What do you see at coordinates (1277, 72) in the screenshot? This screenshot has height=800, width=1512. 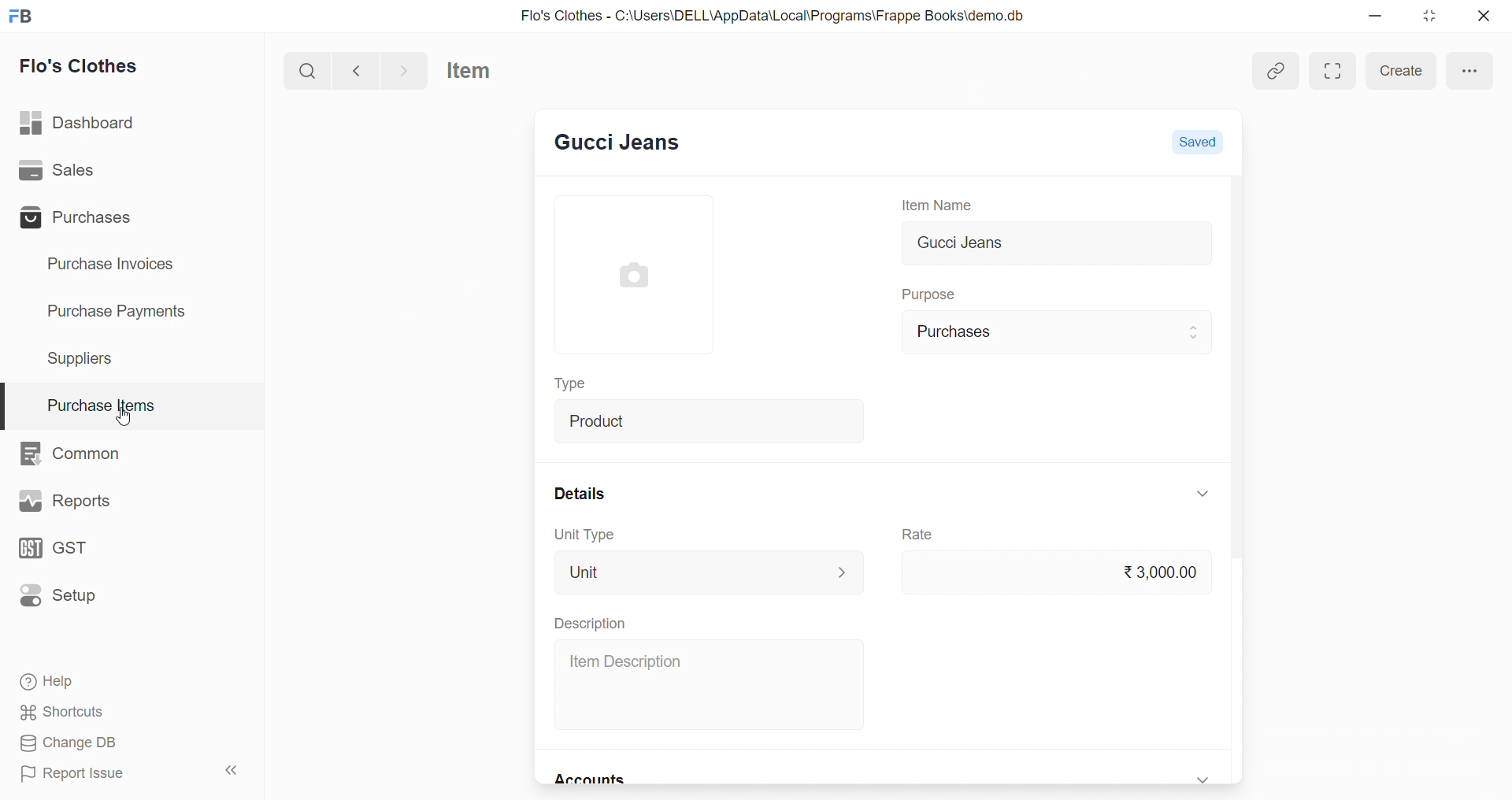 I see `Add link` at bounding box center [1277, 72].